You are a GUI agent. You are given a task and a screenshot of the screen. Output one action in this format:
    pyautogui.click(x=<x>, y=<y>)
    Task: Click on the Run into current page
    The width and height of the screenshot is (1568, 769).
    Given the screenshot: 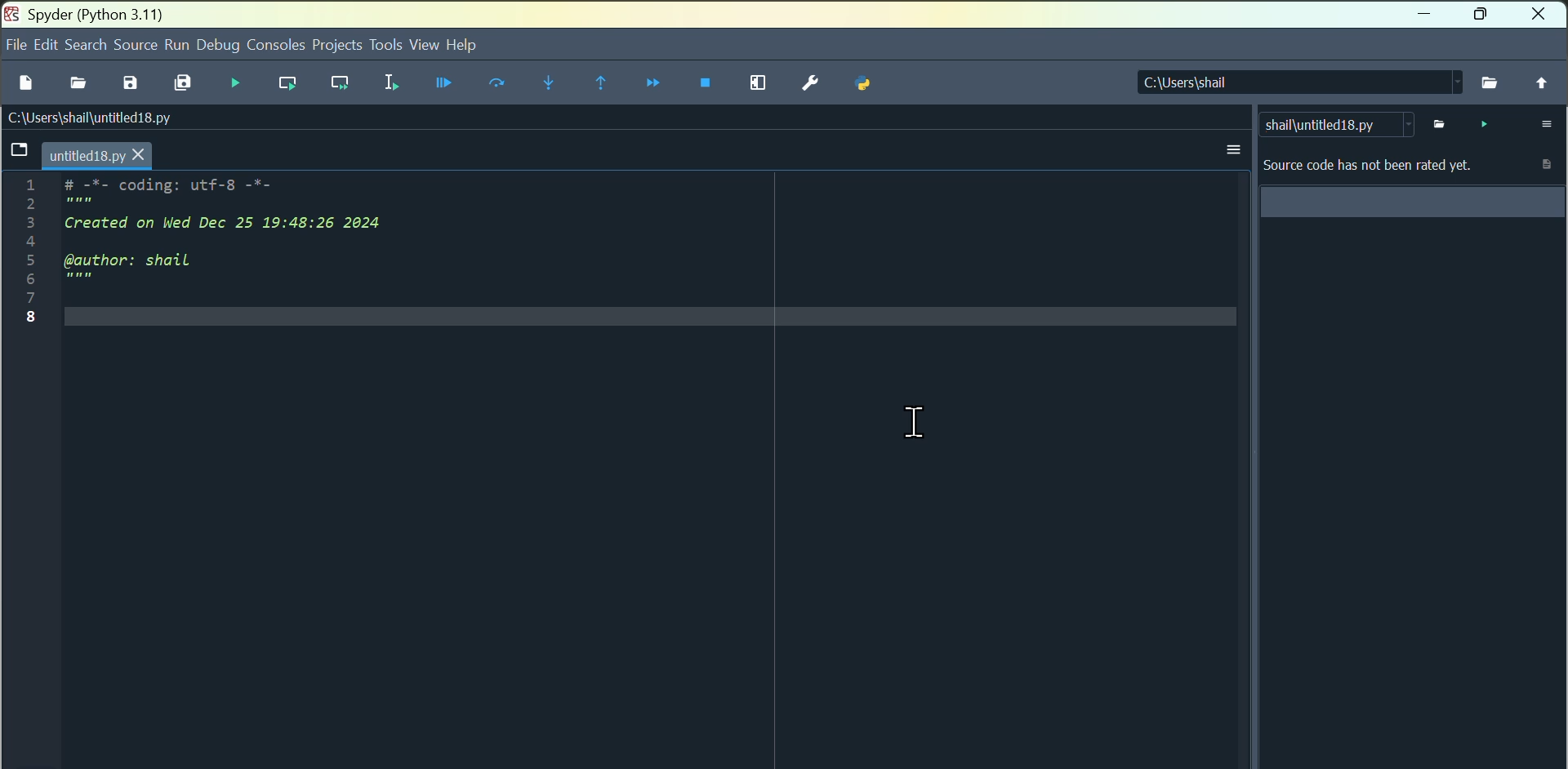 What is the action you would take?
    pyautogui.click(x=546, y=83)
    